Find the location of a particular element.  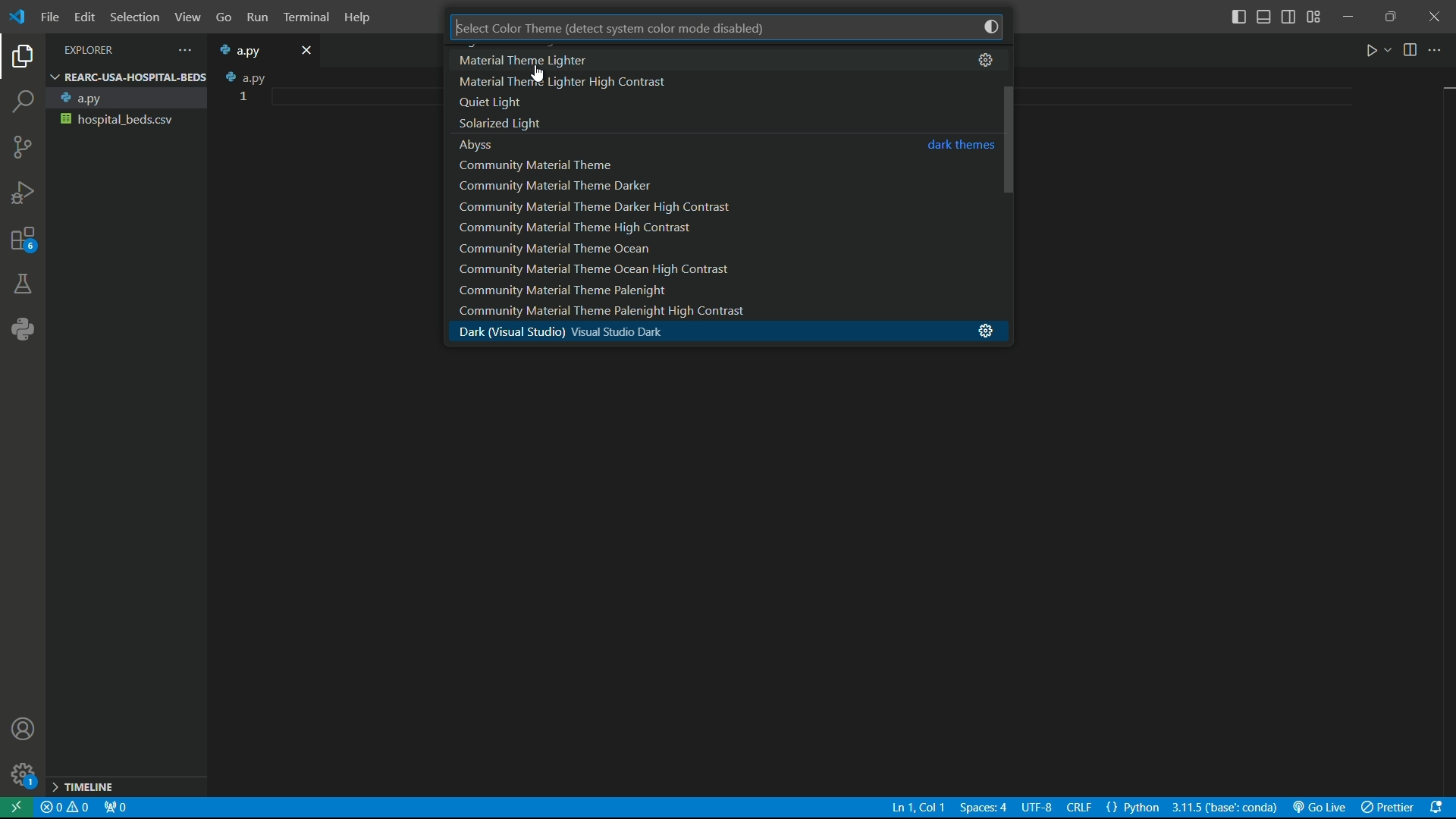

‘Community Material Theme Darker is located at coordinates (565, 184).